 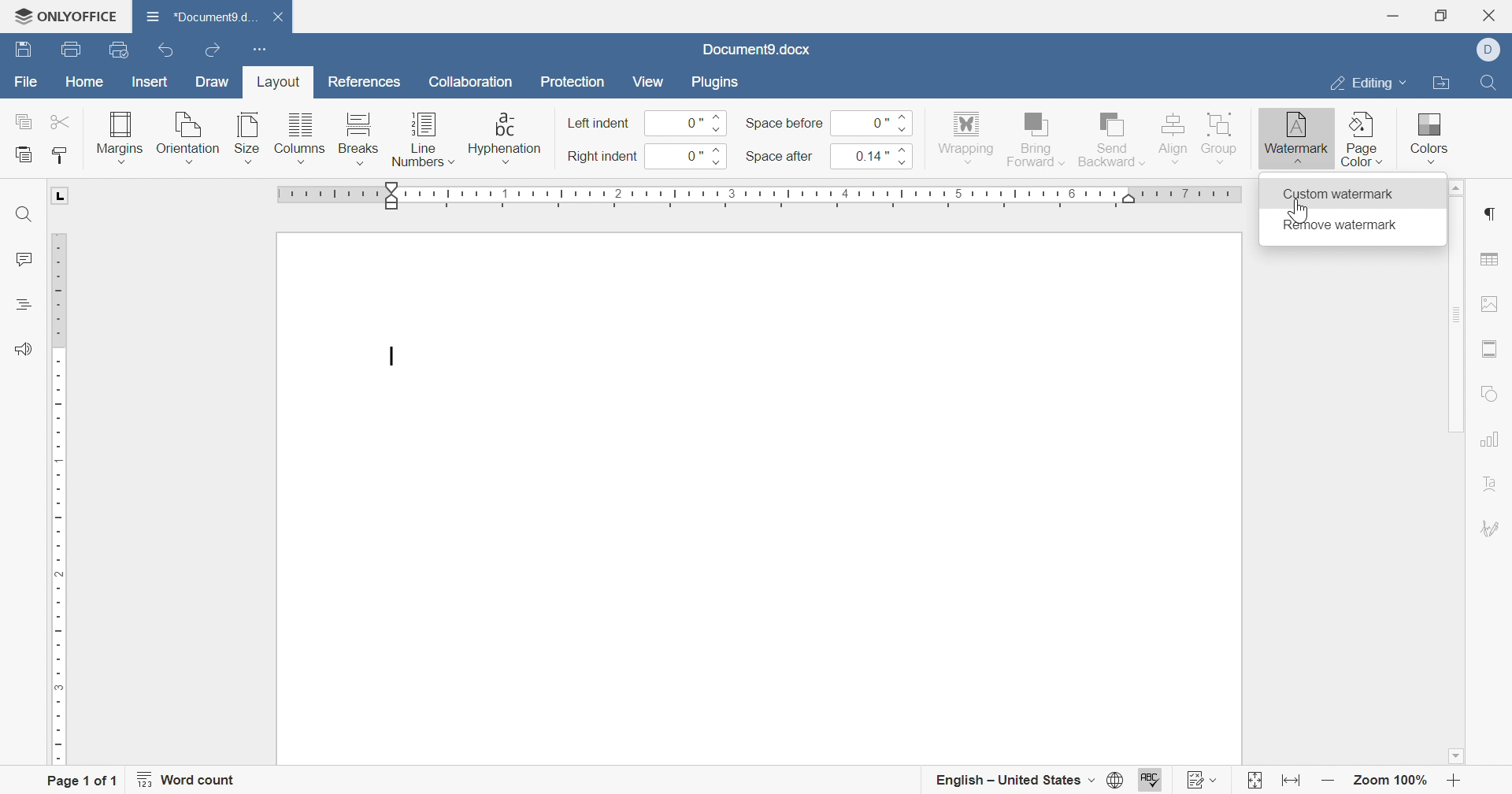 What do you see at coordinates (647, 81) in the screenshot?
I see `view` at bounding box center [647, 81].